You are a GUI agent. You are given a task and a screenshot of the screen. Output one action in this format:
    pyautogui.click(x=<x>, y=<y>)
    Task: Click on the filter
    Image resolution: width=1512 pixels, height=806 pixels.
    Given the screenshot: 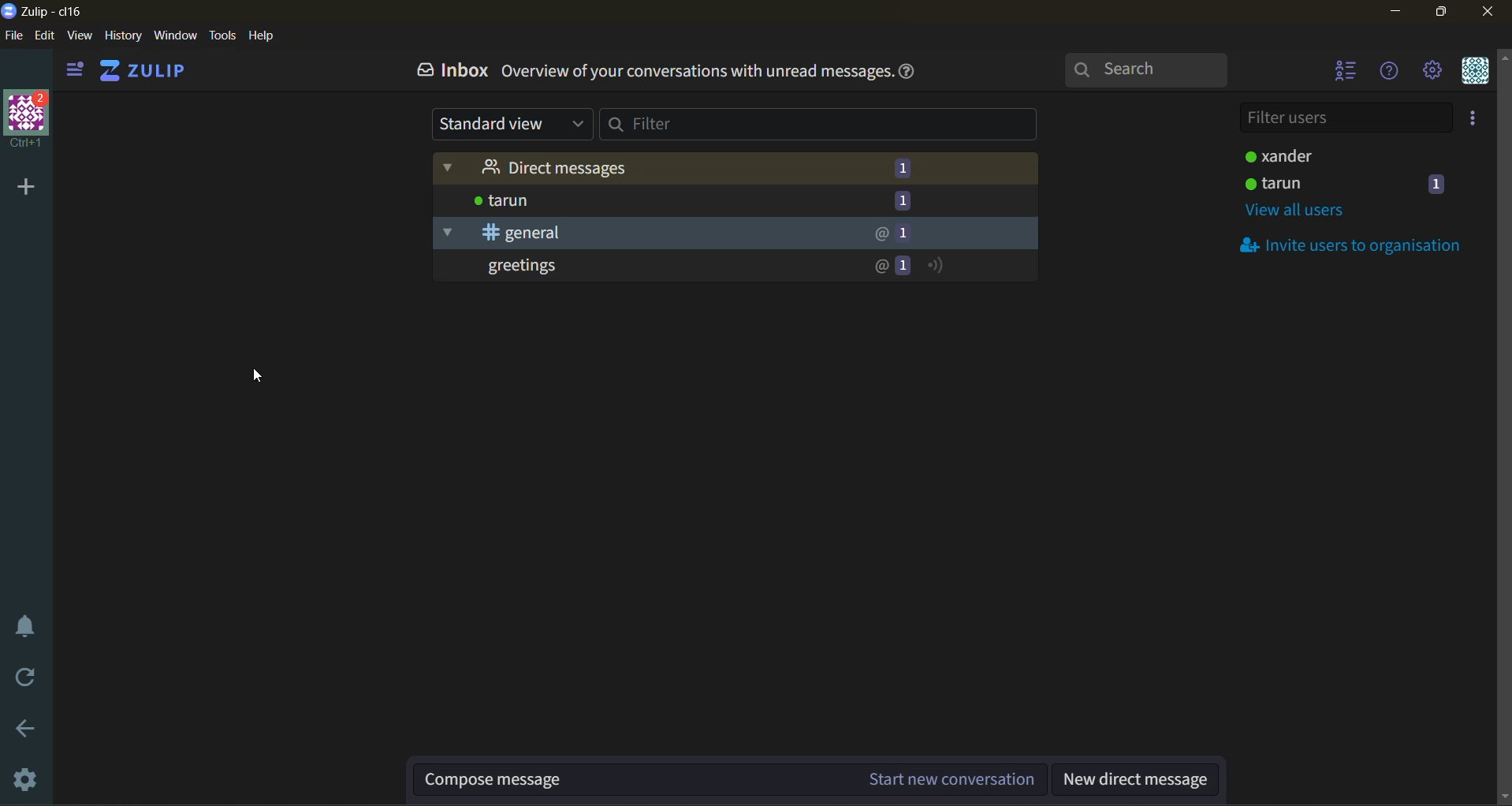 What is the action you would take?
    pyautogui.click(x=821, y=127)
    